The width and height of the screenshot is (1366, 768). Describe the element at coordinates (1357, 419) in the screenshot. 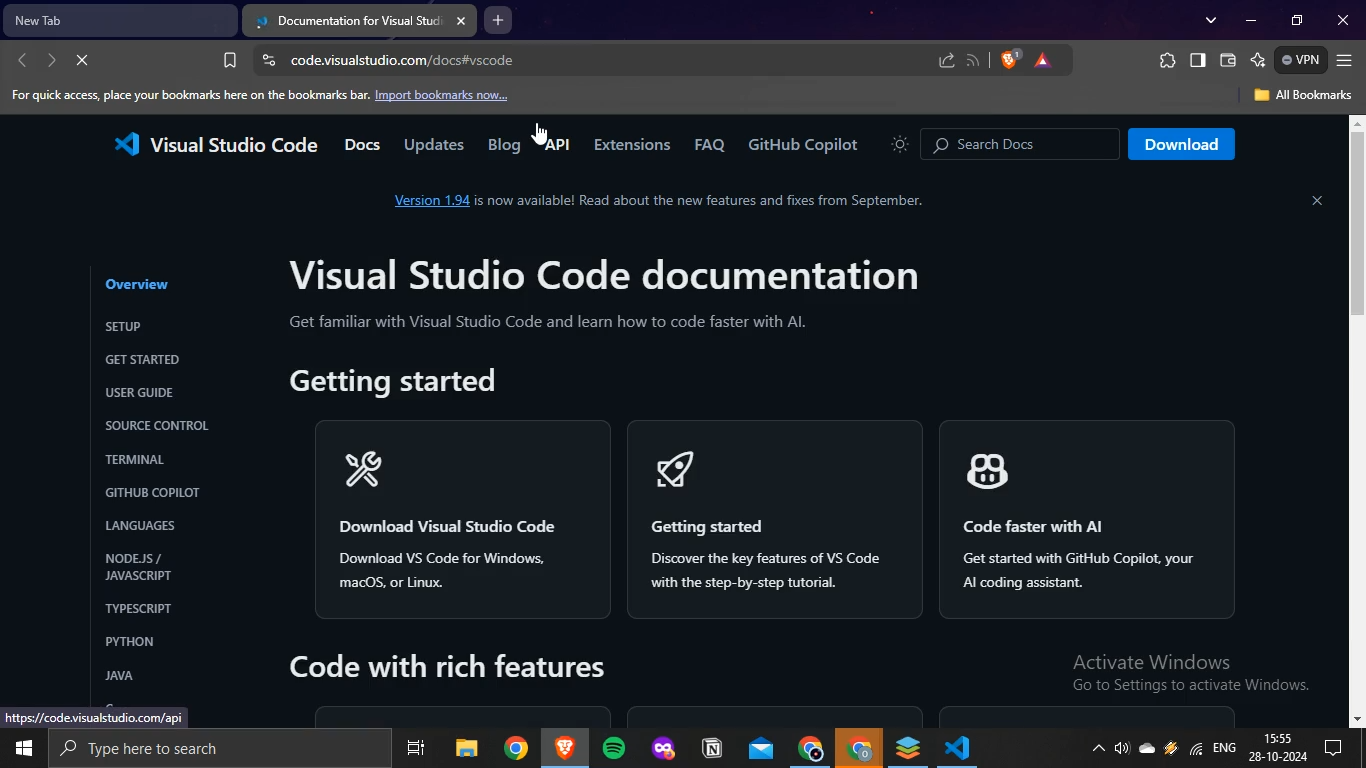

I see `scrollbar` at that location.